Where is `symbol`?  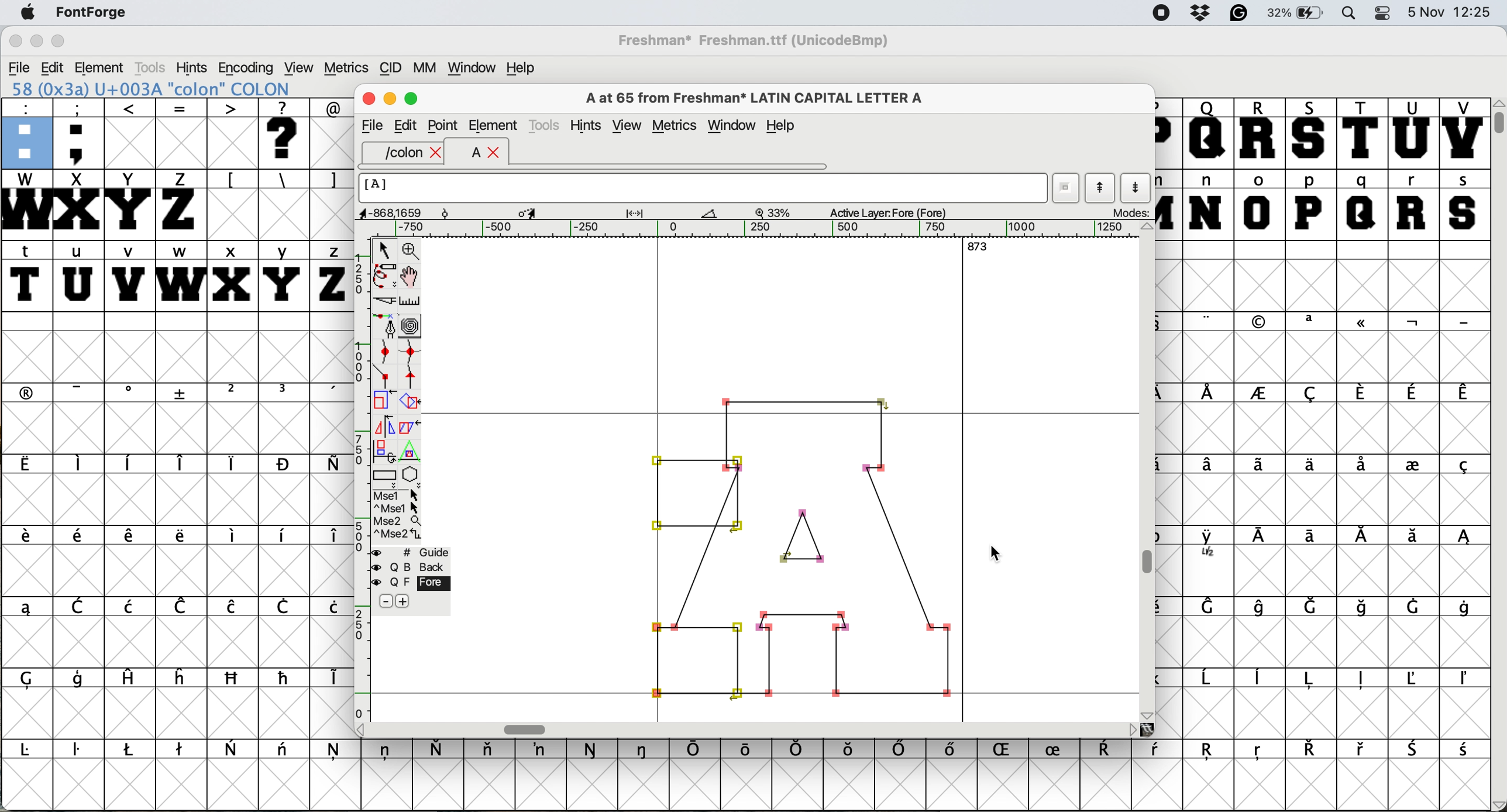
symbol is located at coordinates (1361, 679).